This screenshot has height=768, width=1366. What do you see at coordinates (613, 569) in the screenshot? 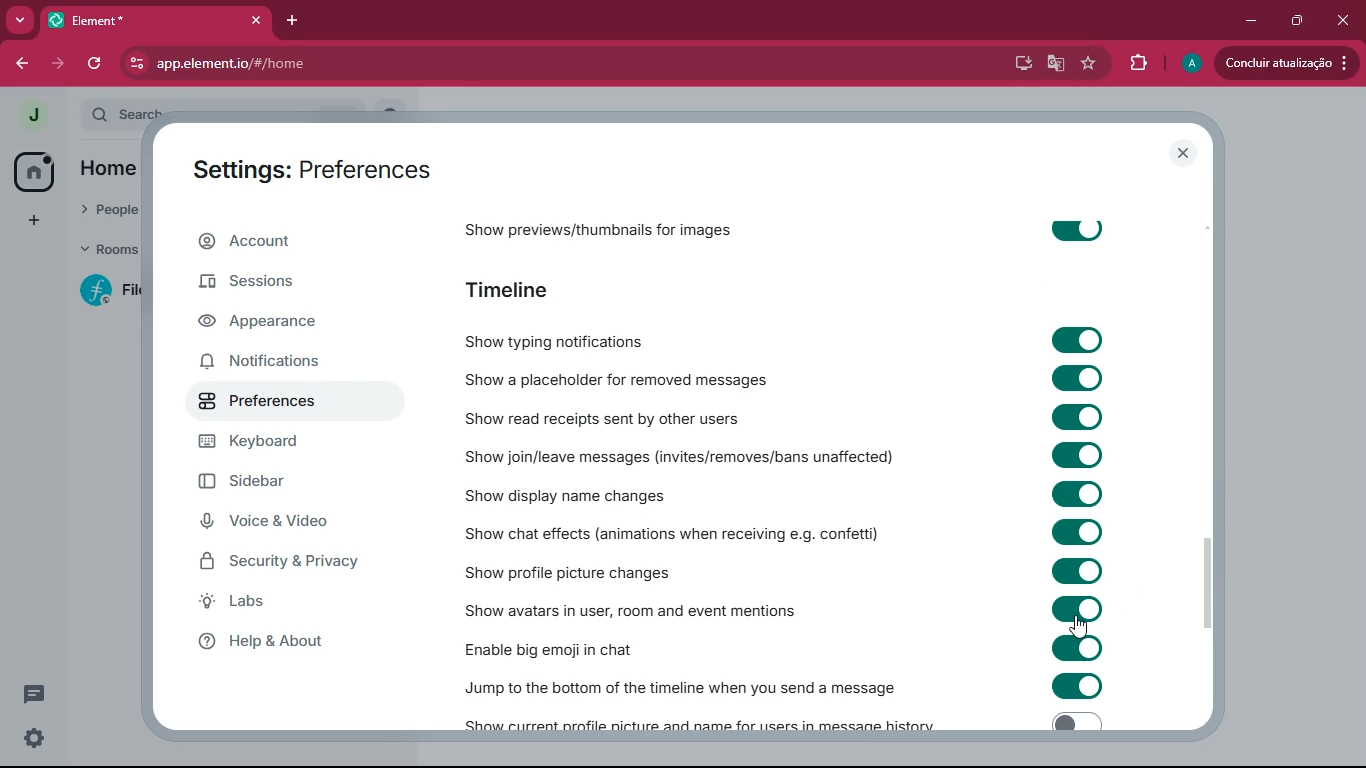
I see `show profile picture changes` at bounding box center [613, 569].